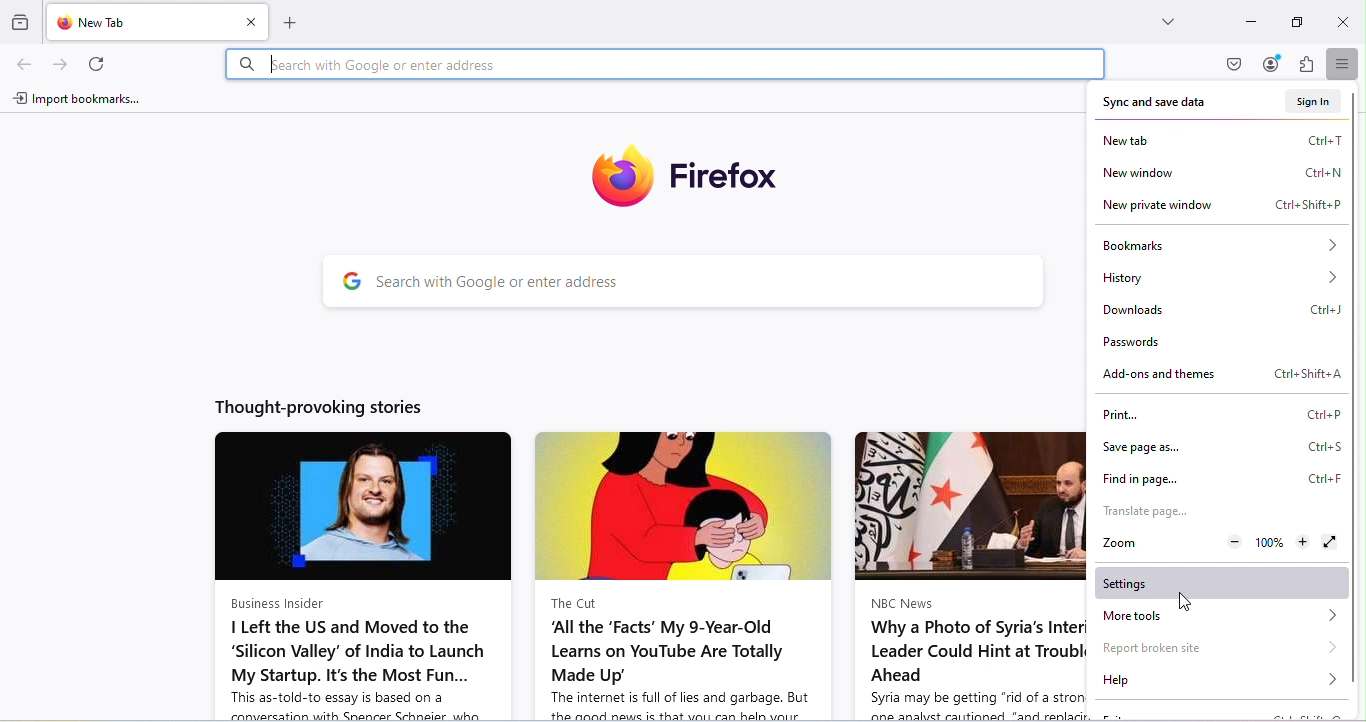  I want to click on Find in page, so click(1224, 480).